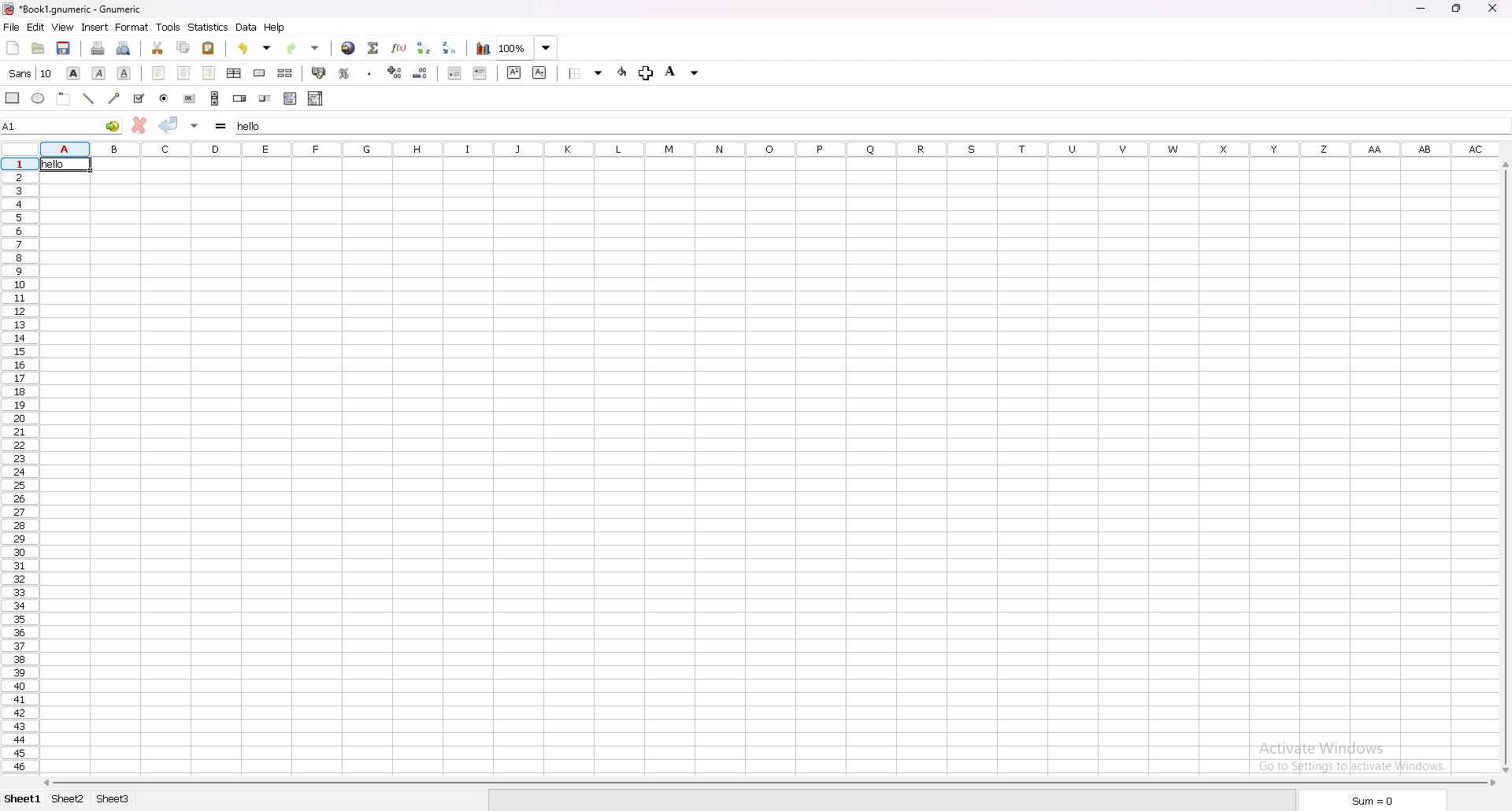  I want to click on print, so click(98, 48).